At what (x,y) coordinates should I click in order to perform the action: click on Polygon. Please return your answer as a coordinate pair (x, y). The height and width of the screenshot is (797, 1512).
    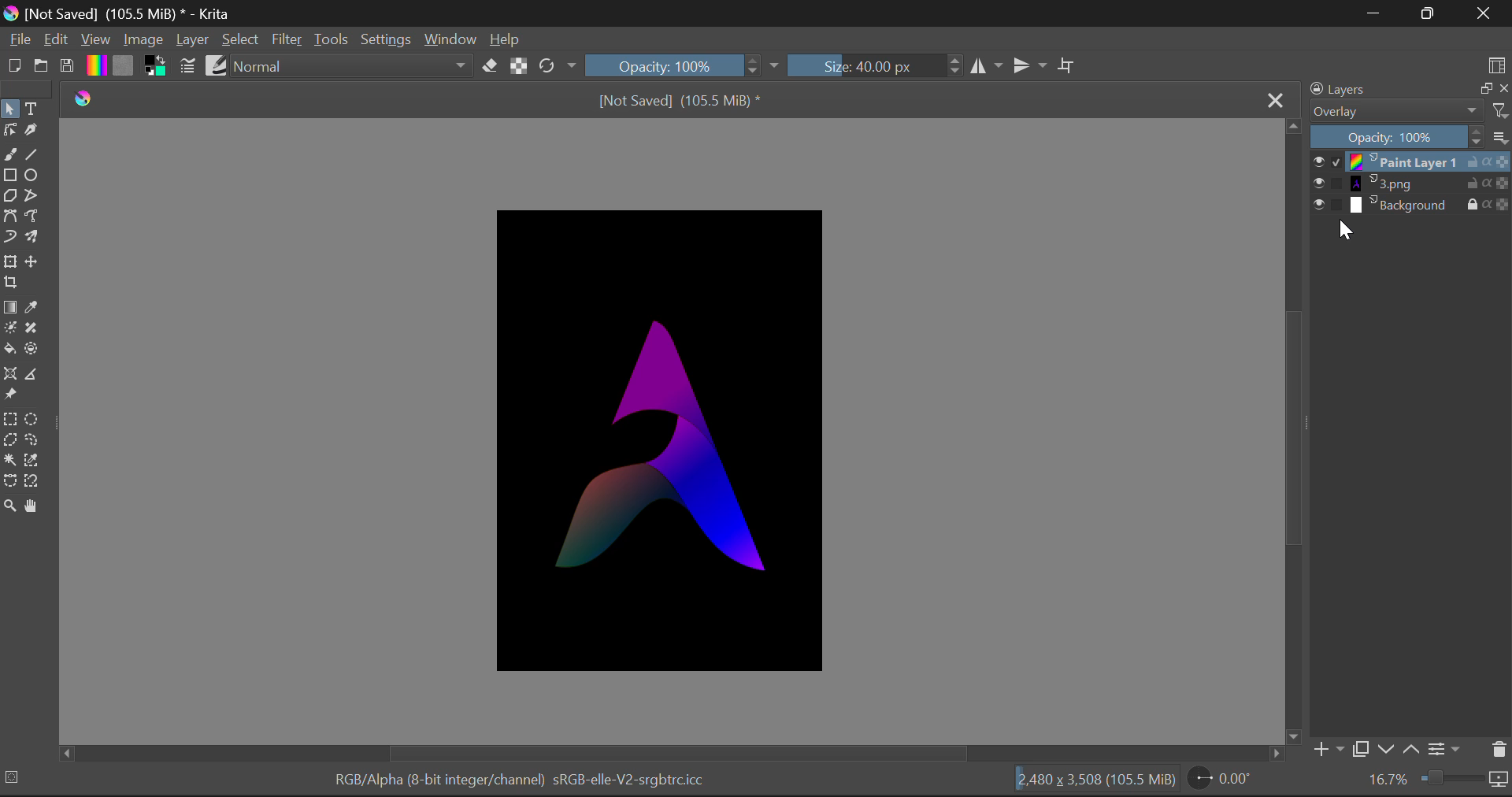
    Looking at the image, I should click on (11, 196).